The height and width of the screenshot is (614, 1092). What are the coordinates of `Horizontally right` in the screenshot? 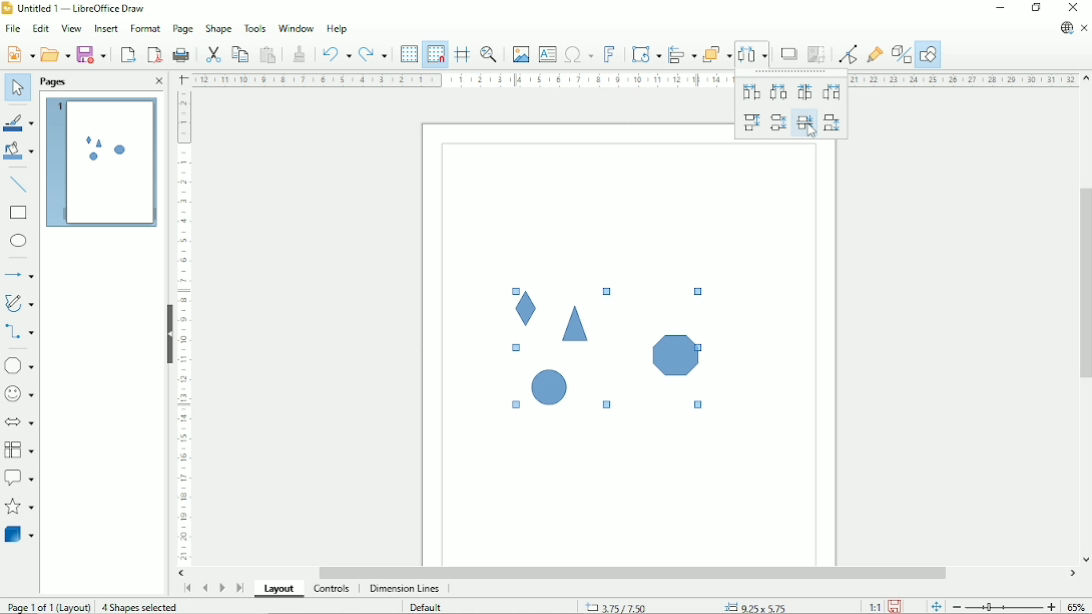 It's located at (831, 92).